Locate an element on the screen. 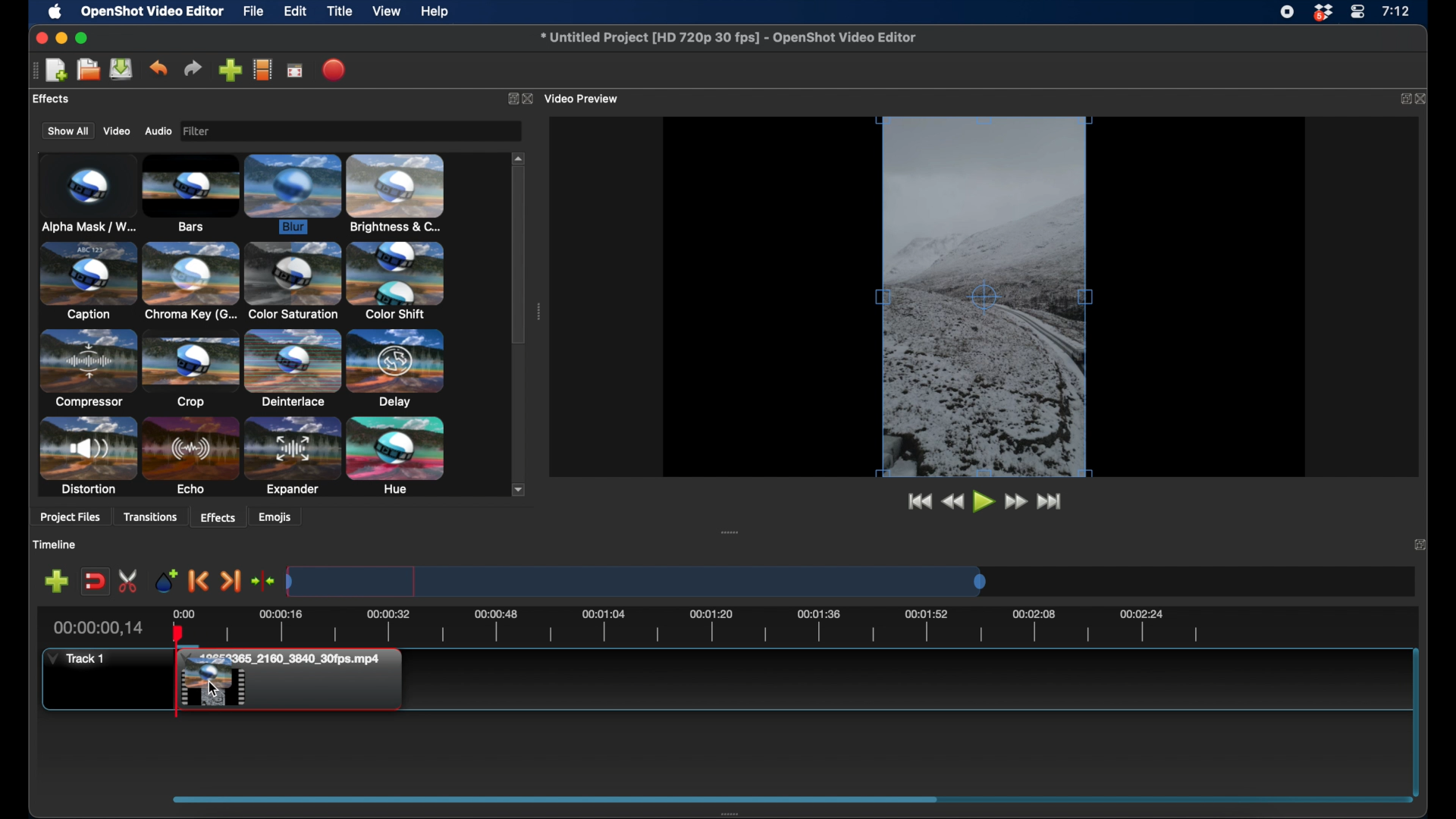 The width and height of the screenshot is (1456, 819). show all is located at coordinates (67, 130).